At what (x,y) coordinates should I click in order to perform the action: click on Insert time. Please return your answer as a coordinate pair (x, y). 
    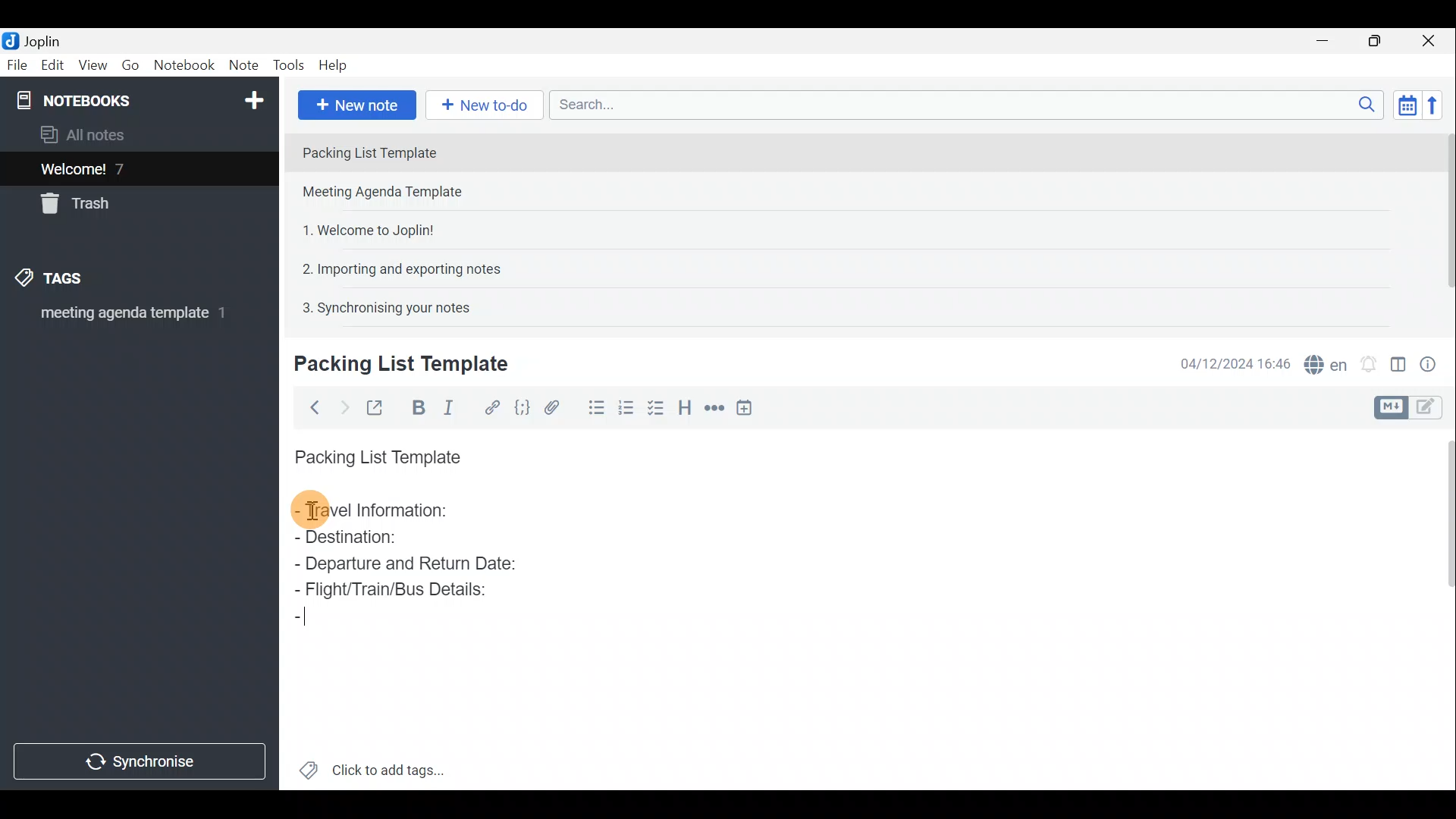
    Looking at the image, I should click on (749, 407).